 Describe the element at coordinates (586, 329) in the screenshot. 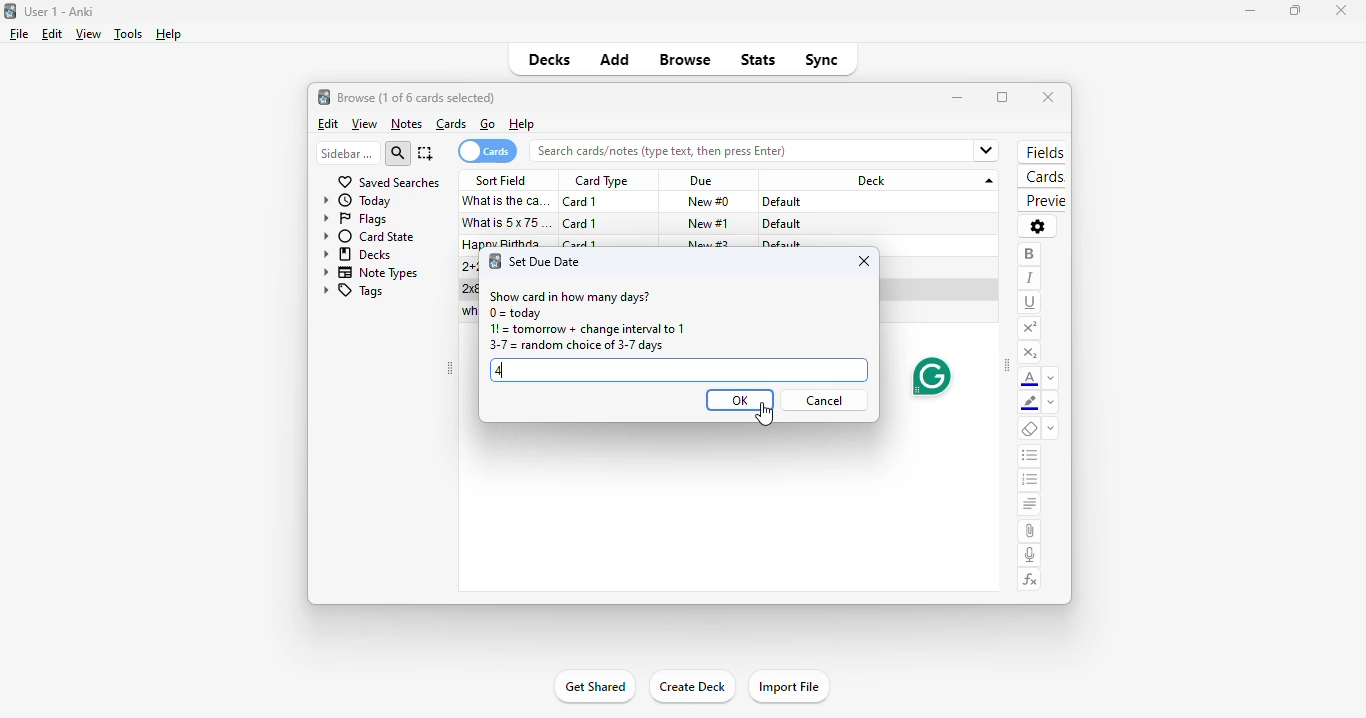

I see `1! = tomorrow + change interval to 1` at that location.